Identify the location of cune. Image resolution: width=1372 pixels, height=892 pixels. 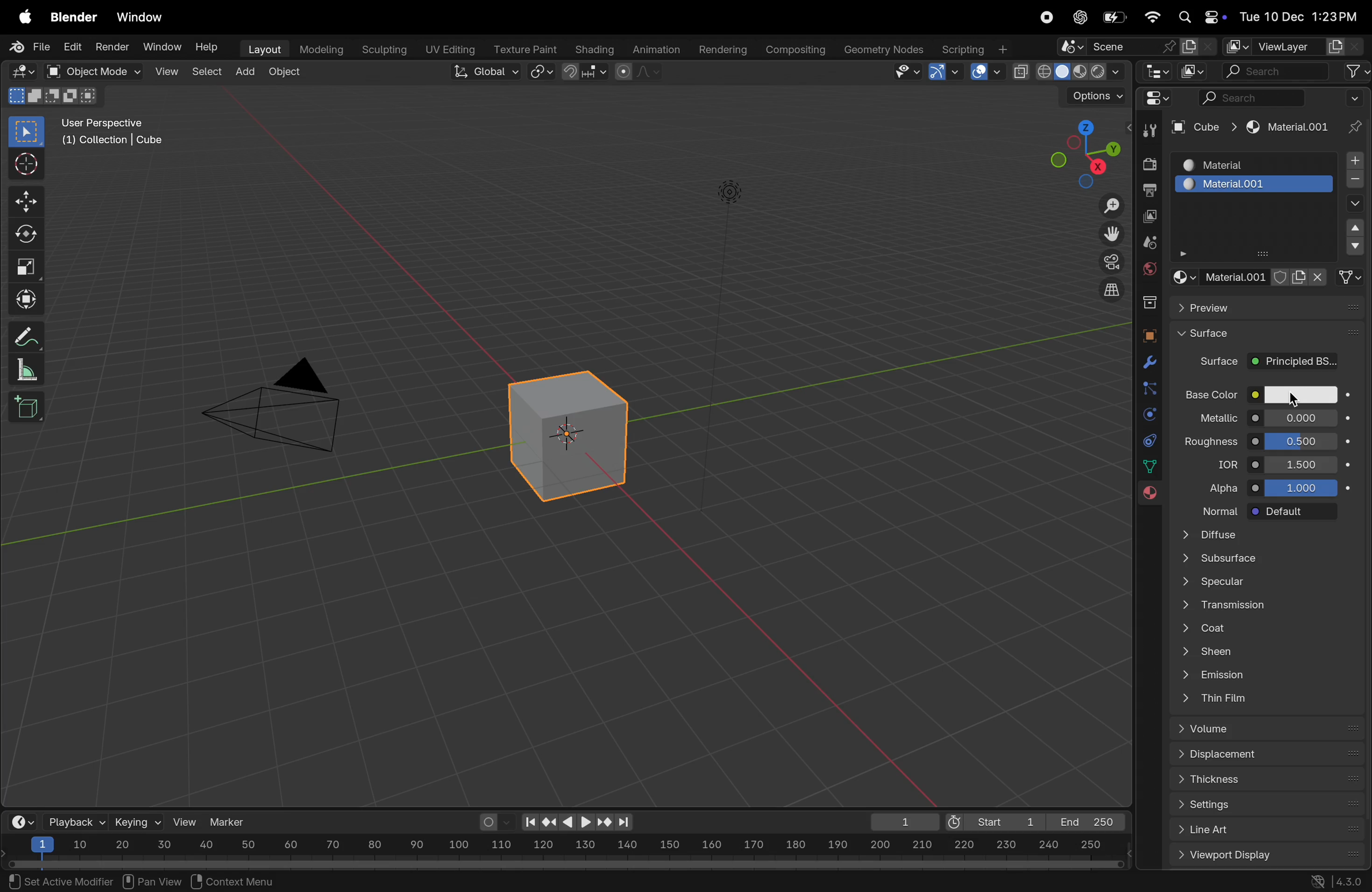
(1203, 127).